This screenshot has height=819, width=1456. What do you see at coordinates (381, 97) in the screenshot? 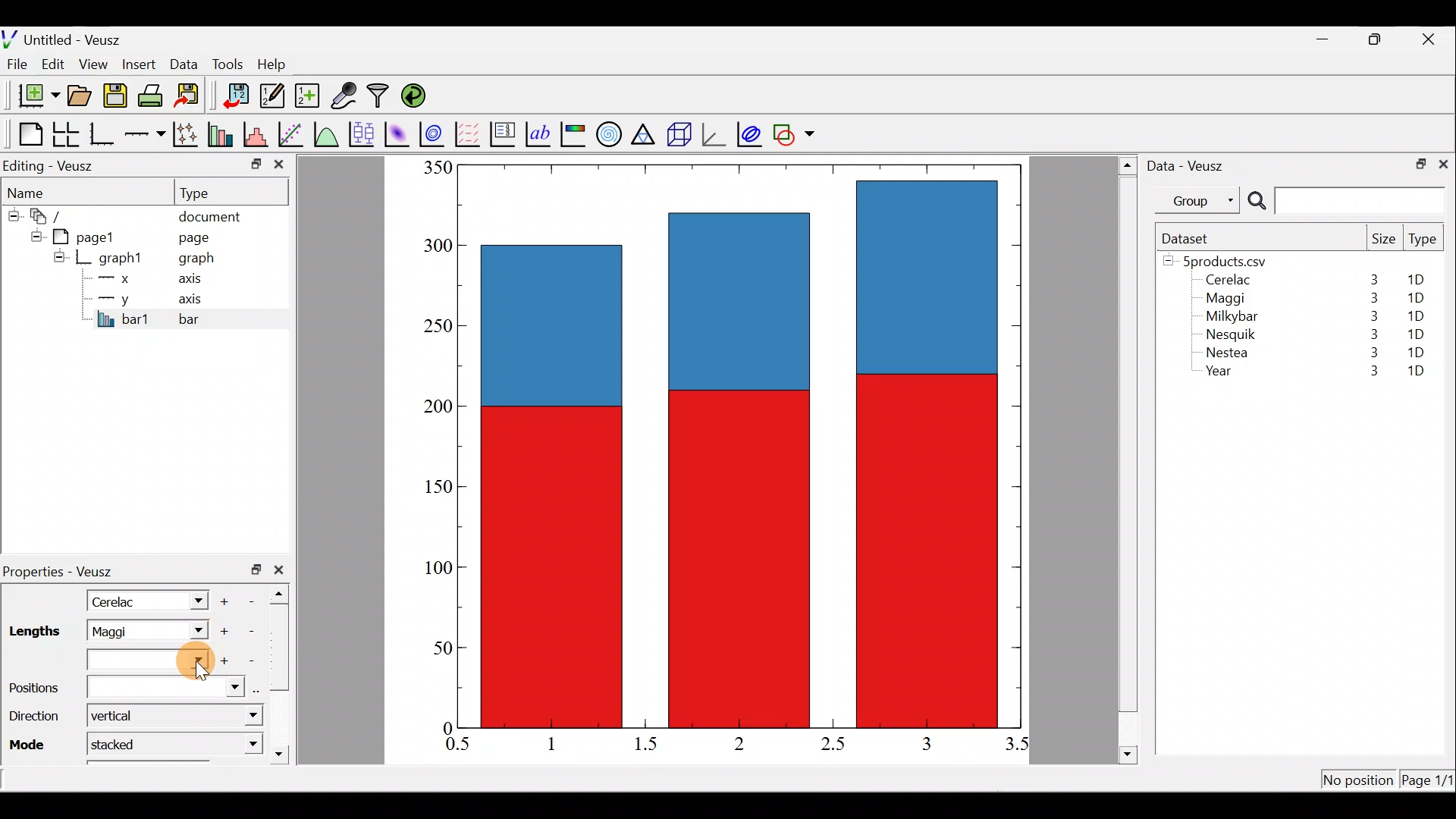
I see `Filter data` at bounding box center [381, 97].